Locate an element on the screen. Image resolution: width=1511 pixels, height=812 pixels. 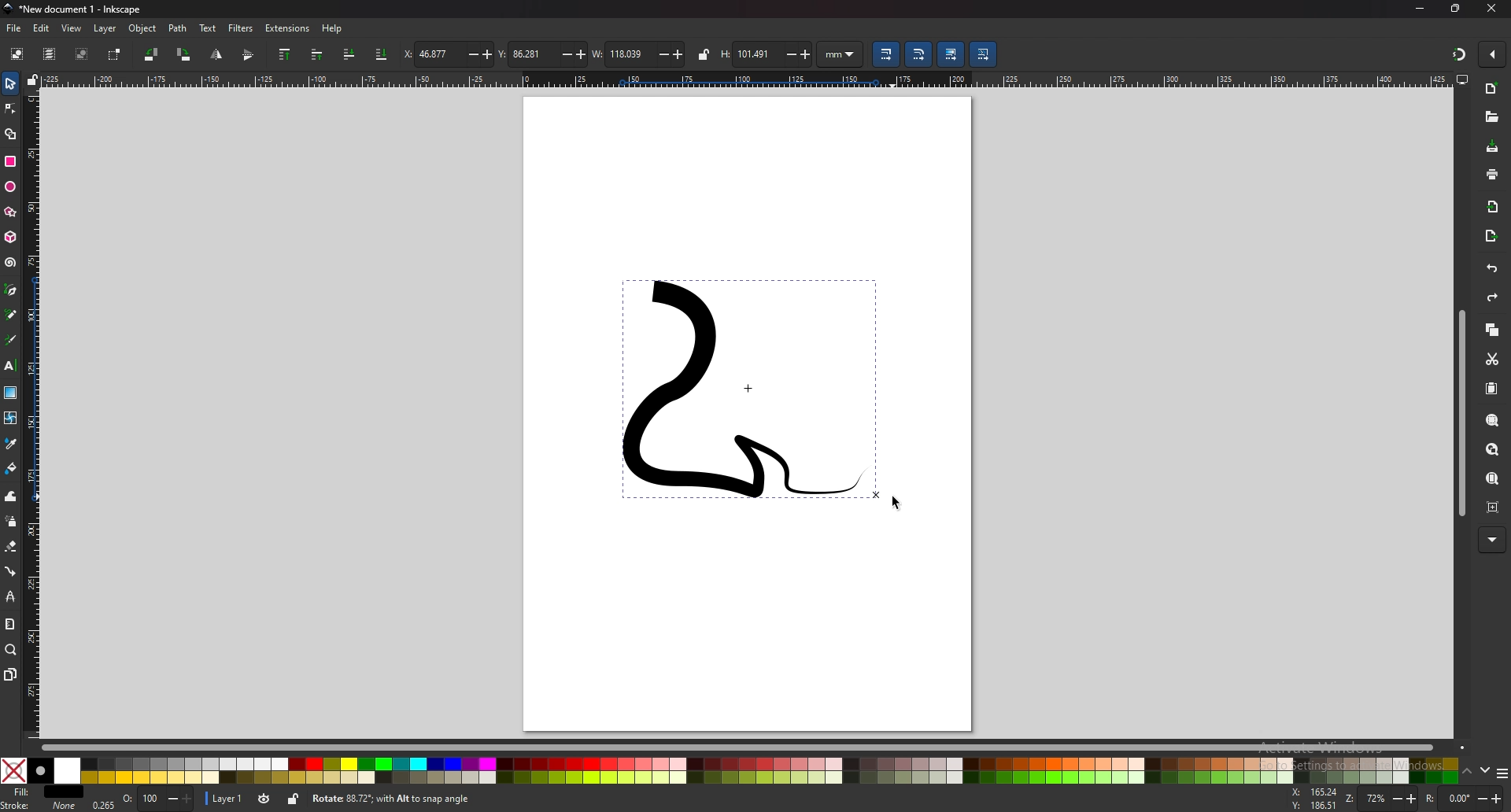
drawing is located at coordinates (752, 393).